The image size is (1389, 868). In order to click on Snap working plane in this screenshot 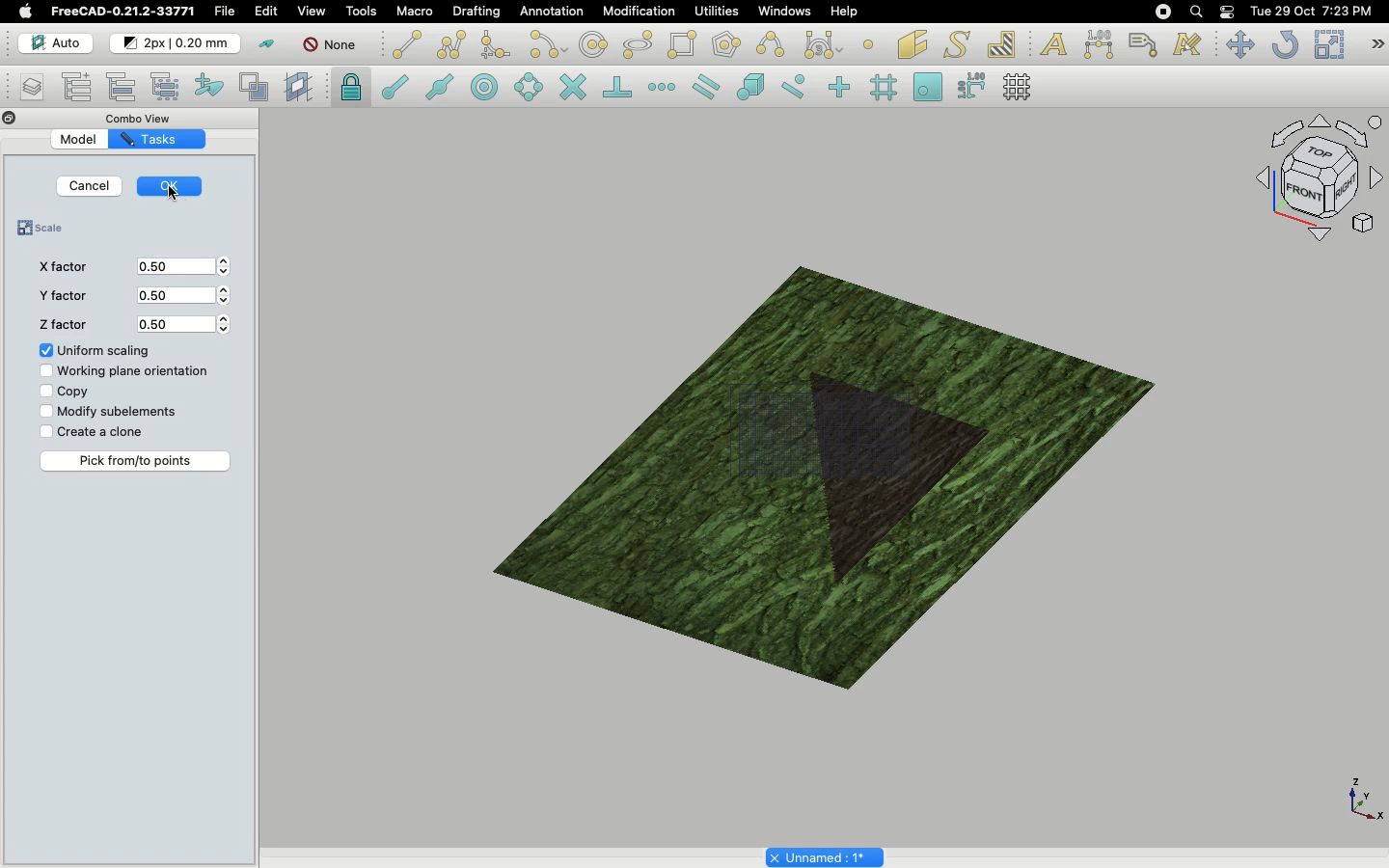, I will do `click(925, 84)`.